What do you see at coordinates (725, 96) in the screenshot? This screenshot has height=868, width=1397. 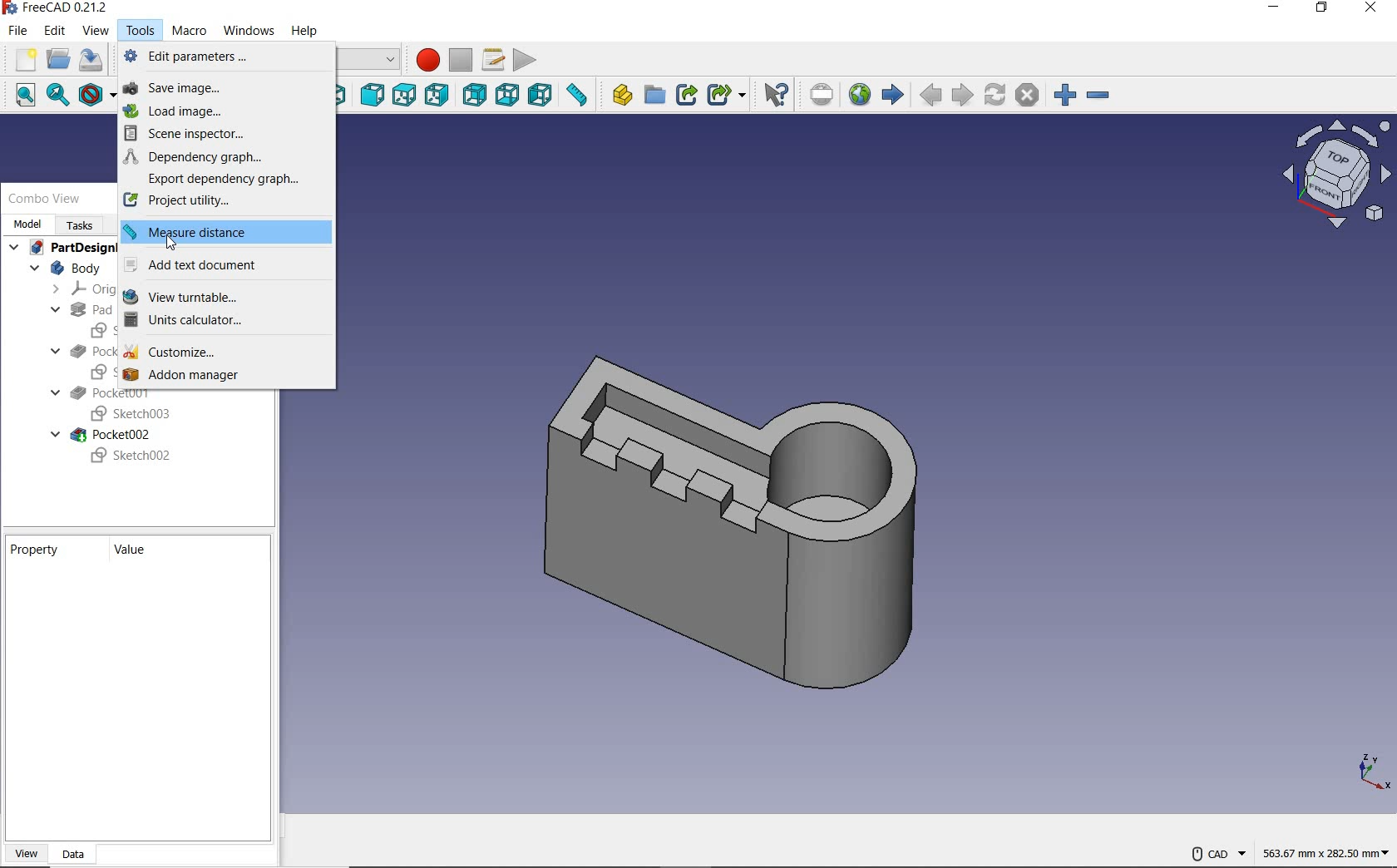 I see `make sub-link` at bounding box center [725, 96].